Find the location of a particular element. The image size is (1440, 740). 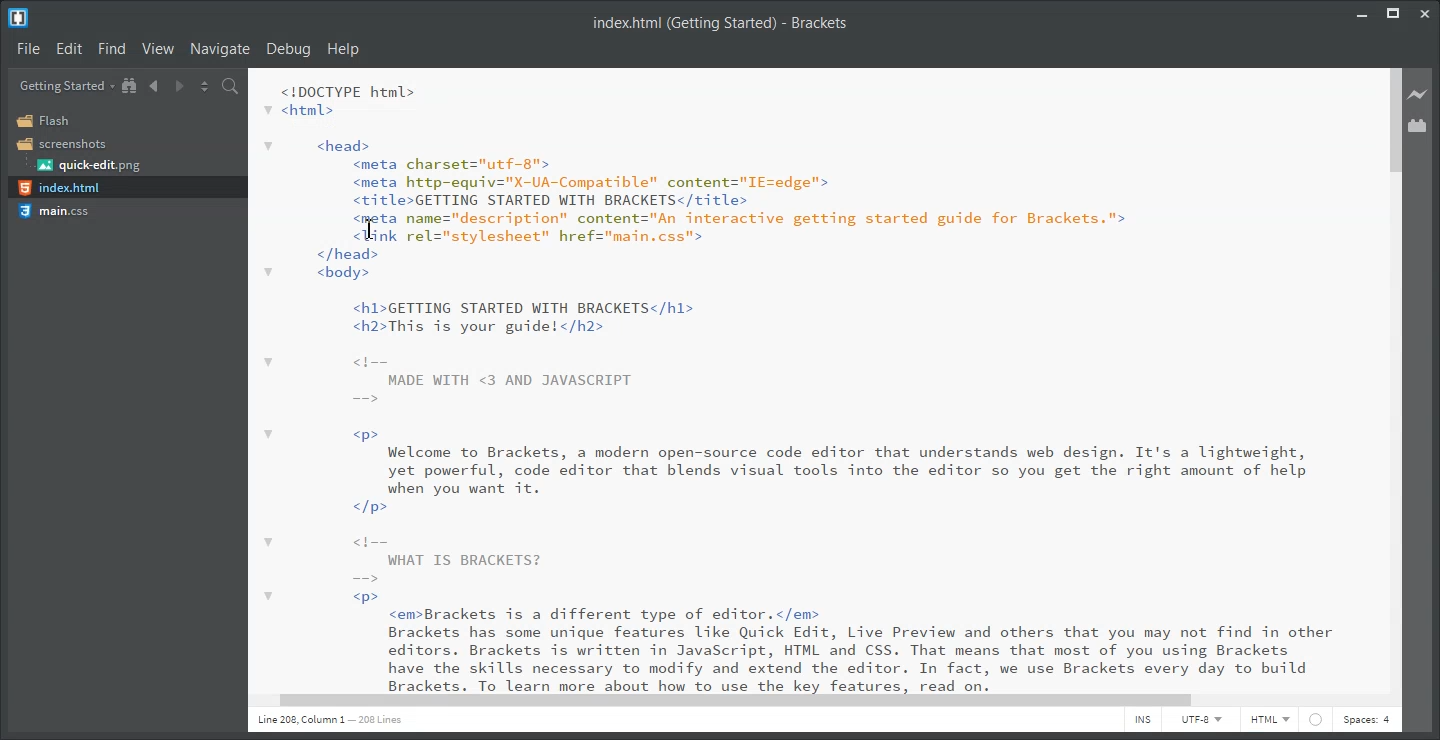

File is located at coordinates (29, 48).